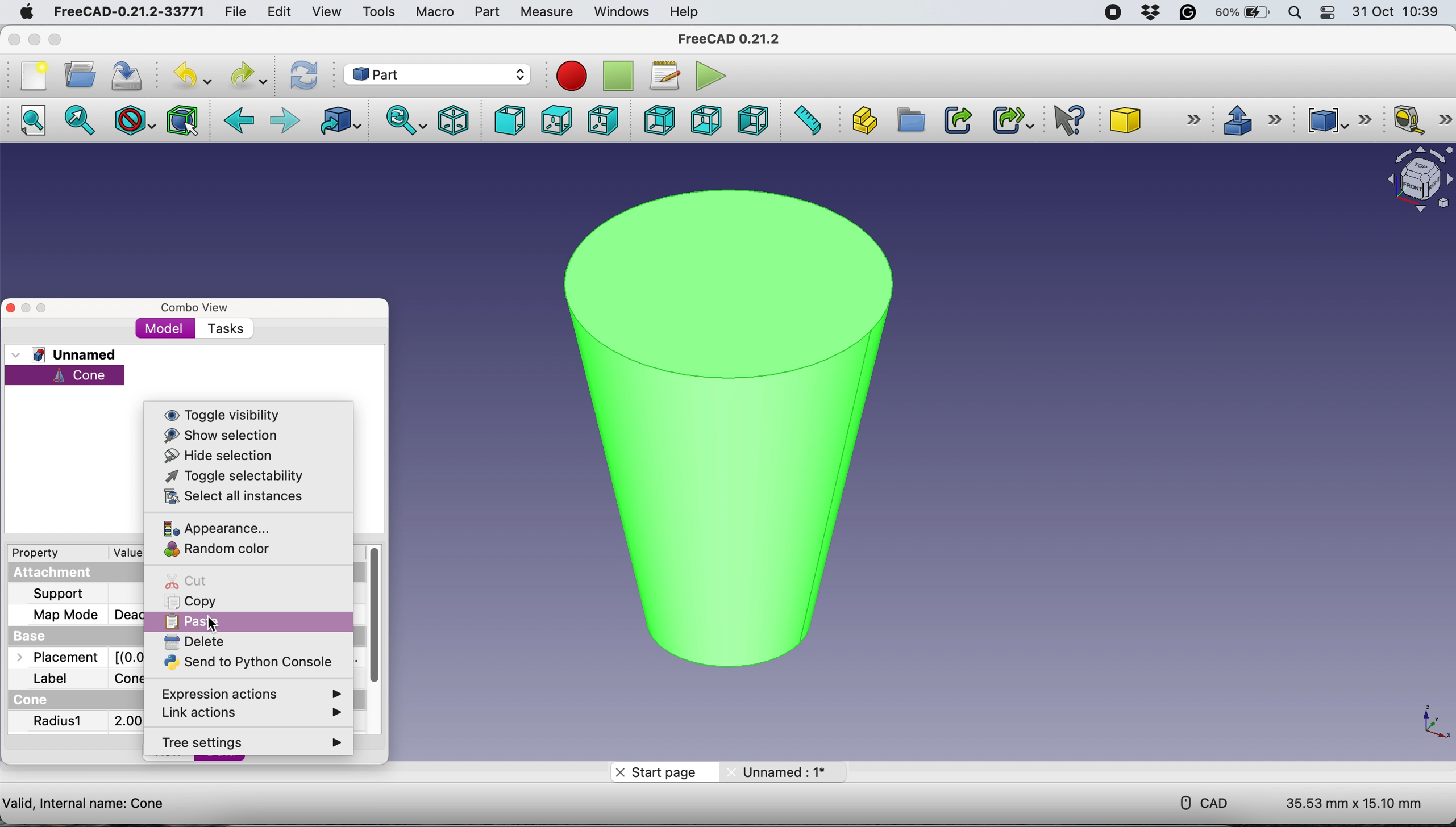  Describe the element at coordinates (225, 414) in the screenshot. I see `toggle visibility` at that location.